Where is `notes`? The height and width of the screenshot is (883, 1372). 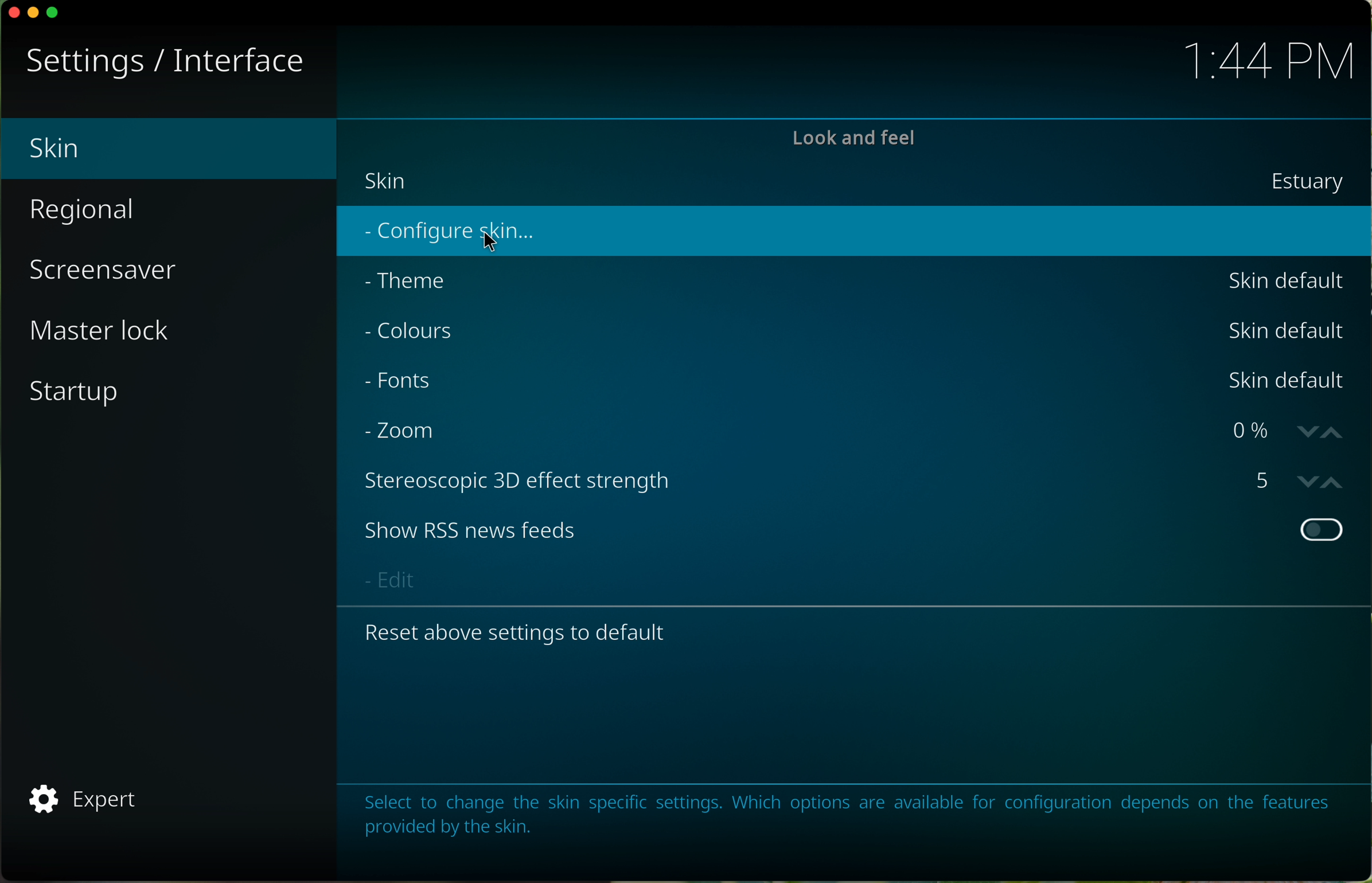
notes is located at coordinates (844, 814).